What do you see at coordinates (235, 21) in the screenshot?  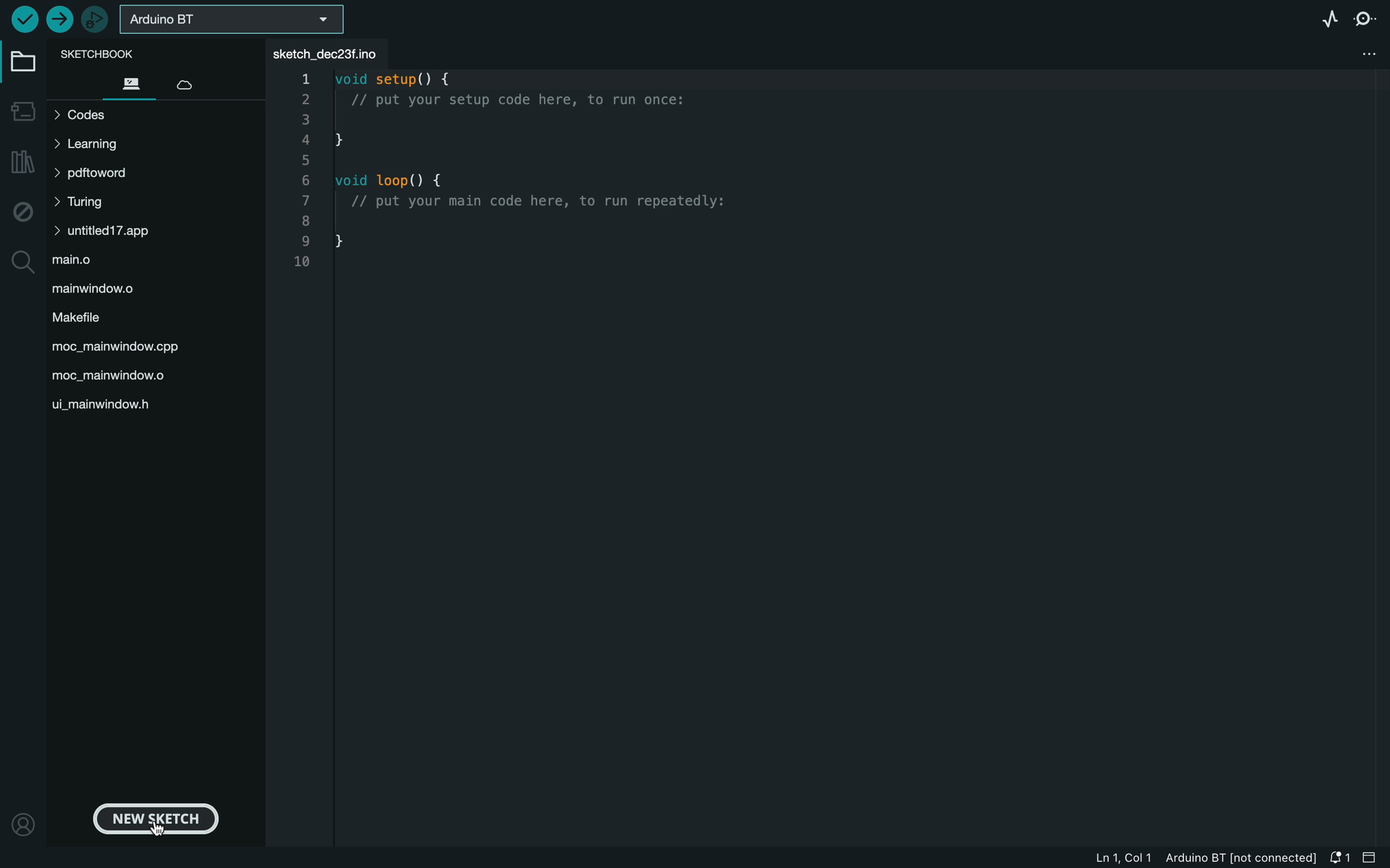 I see `board selecter` at bounding box center [235, 21].